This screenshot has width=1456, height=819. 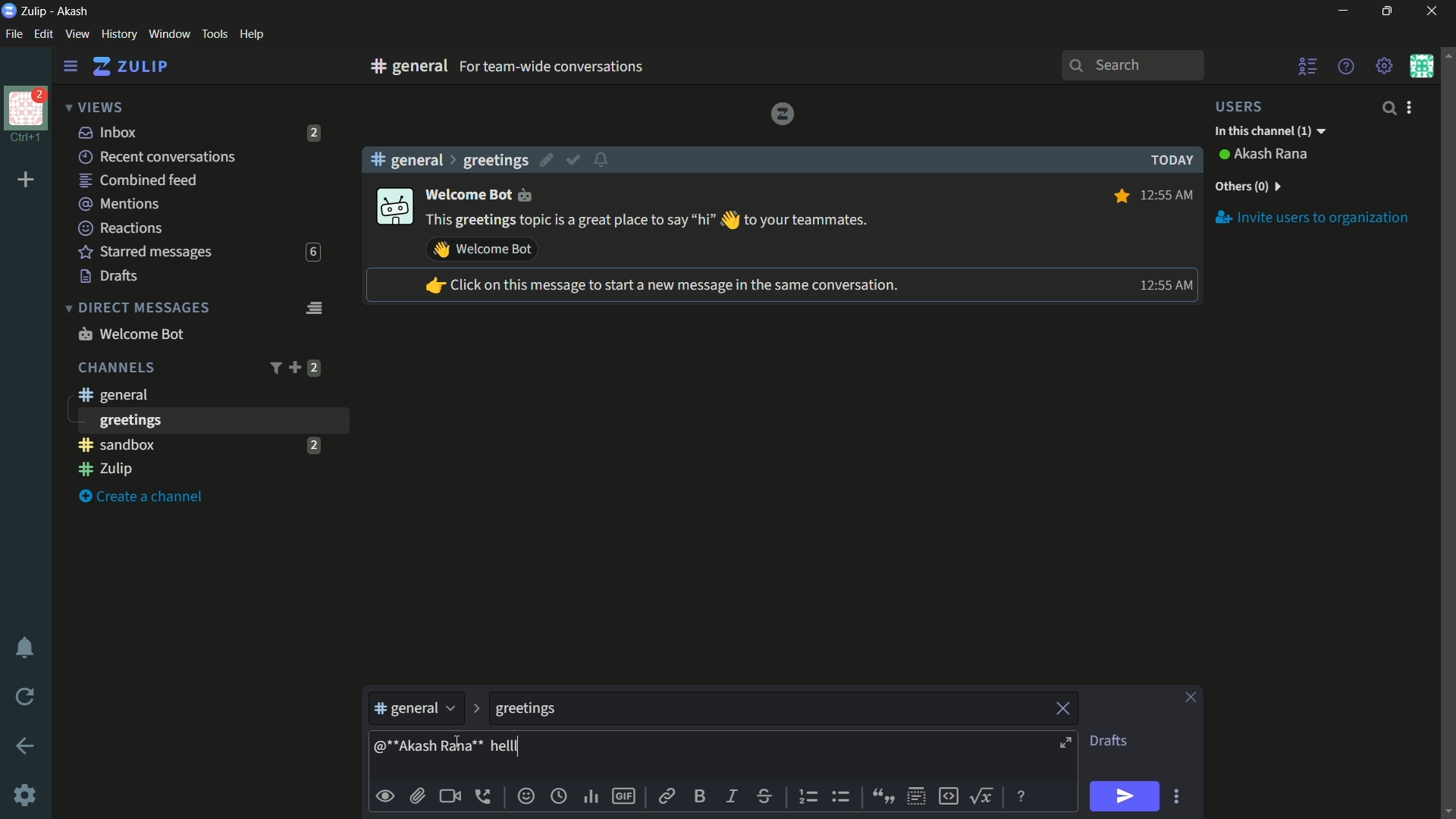 What do you see at coordinates (313, 444) in the screenshot?
I see `2 unread messages` at bounding box center [313, 444].